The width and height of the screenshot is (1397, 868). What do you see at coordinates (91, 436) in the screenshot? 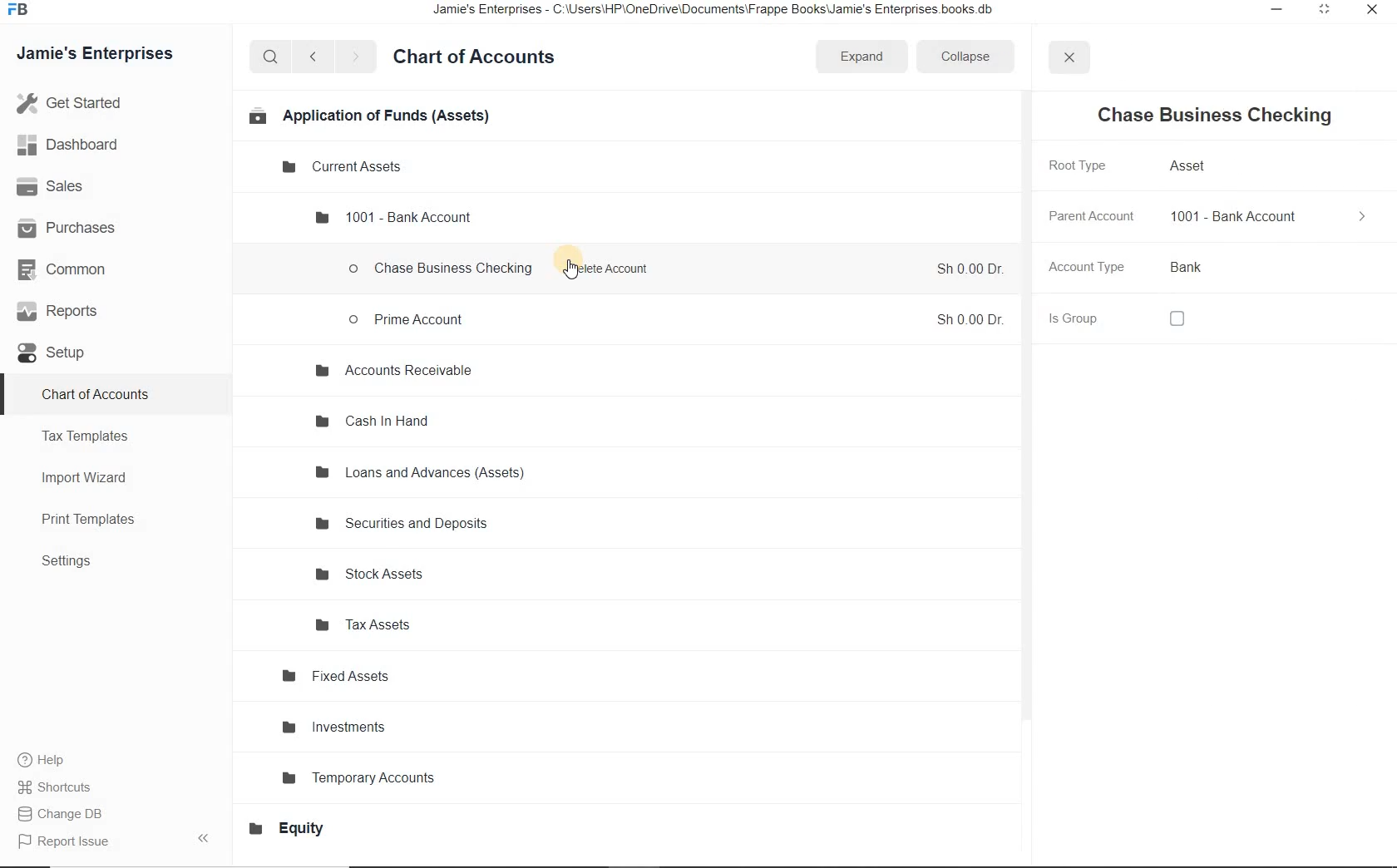
I see `Tax Templates` at bounding box center [91, 436].